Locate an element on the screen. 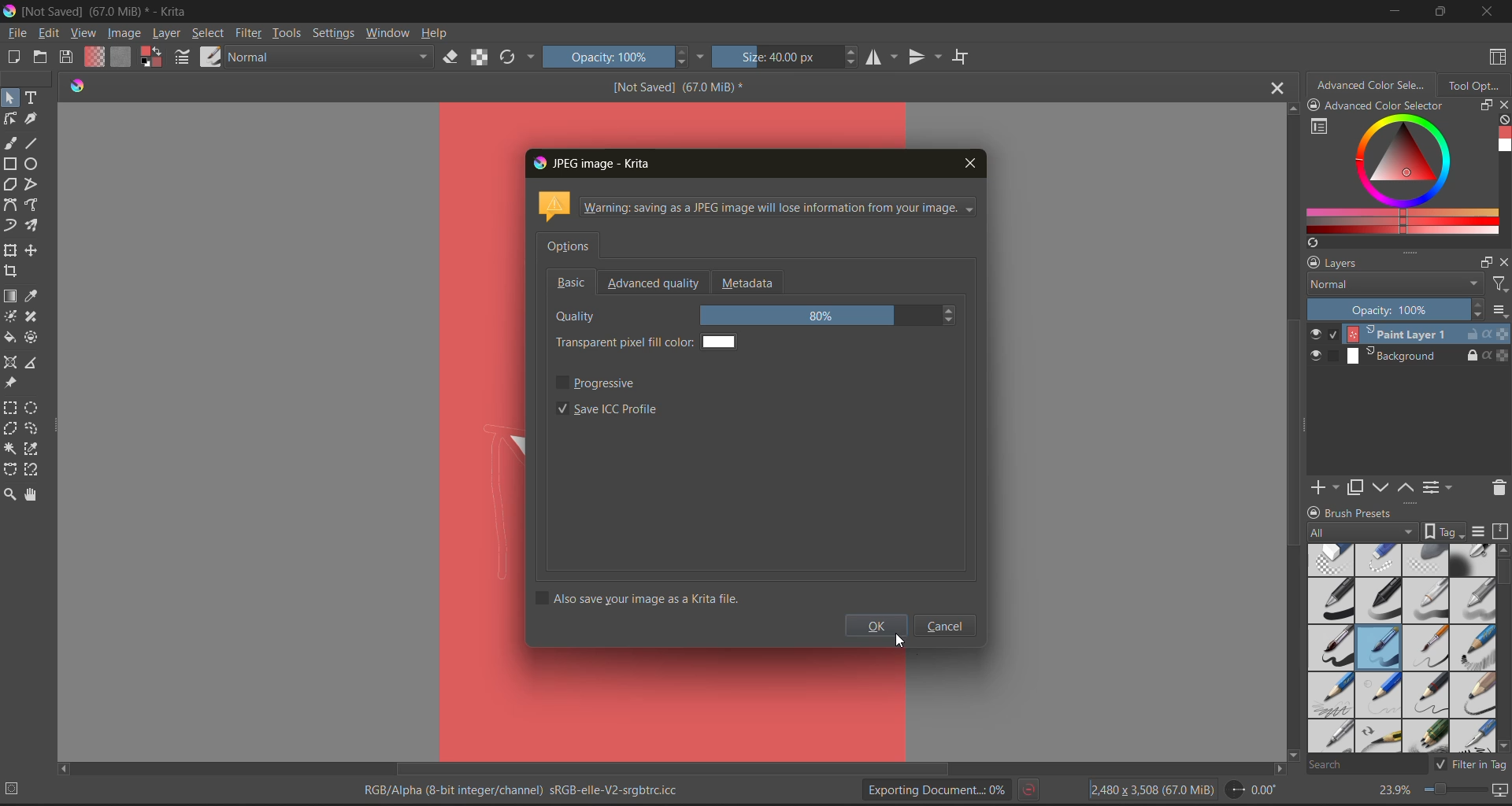  tools is located at coordinates (9, 294).